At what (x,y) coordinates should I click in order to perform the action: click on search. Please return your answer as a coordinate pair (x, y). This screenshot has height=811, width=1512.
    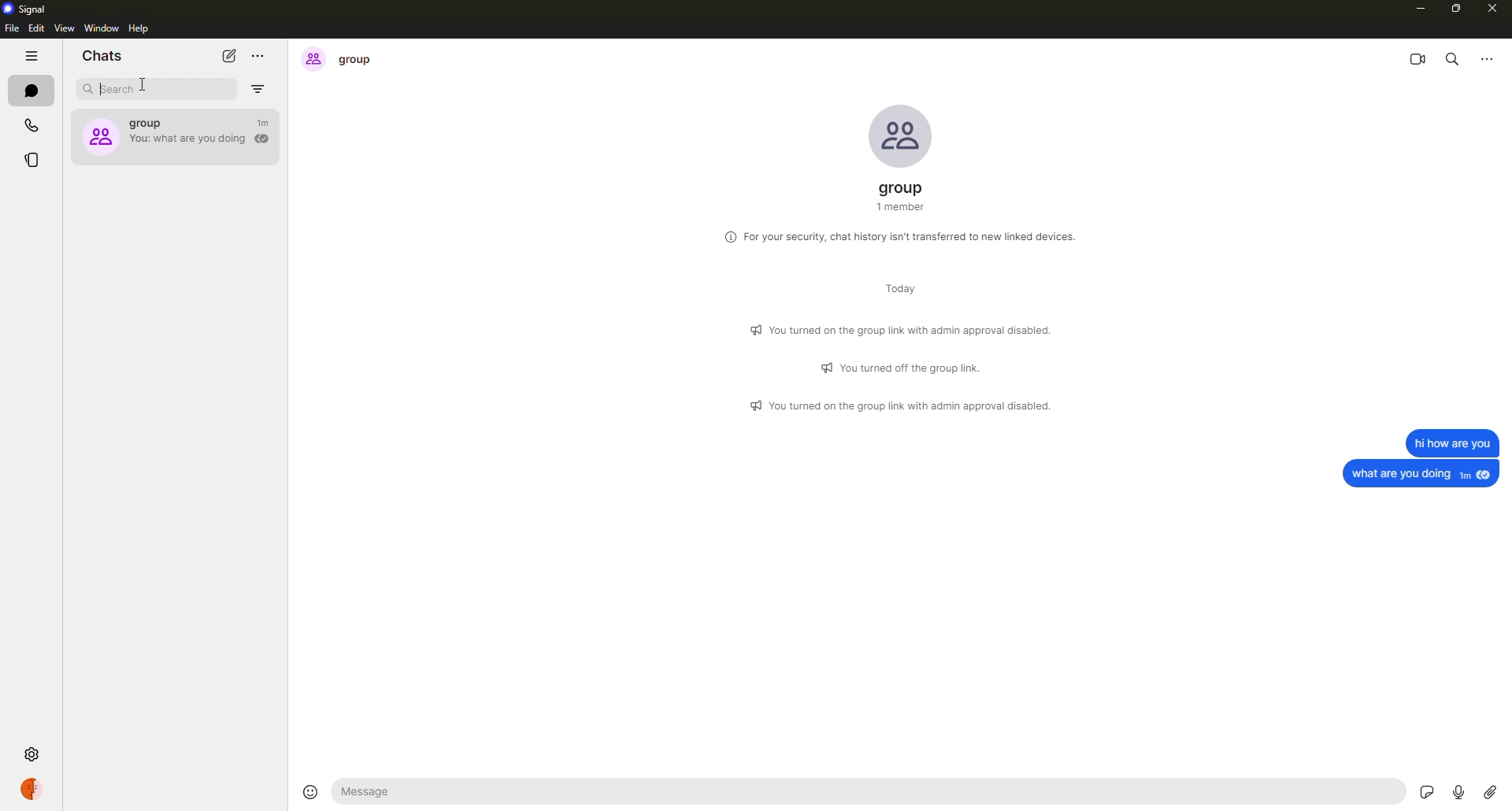
    Looking at the image, I should click on (1453, 57).